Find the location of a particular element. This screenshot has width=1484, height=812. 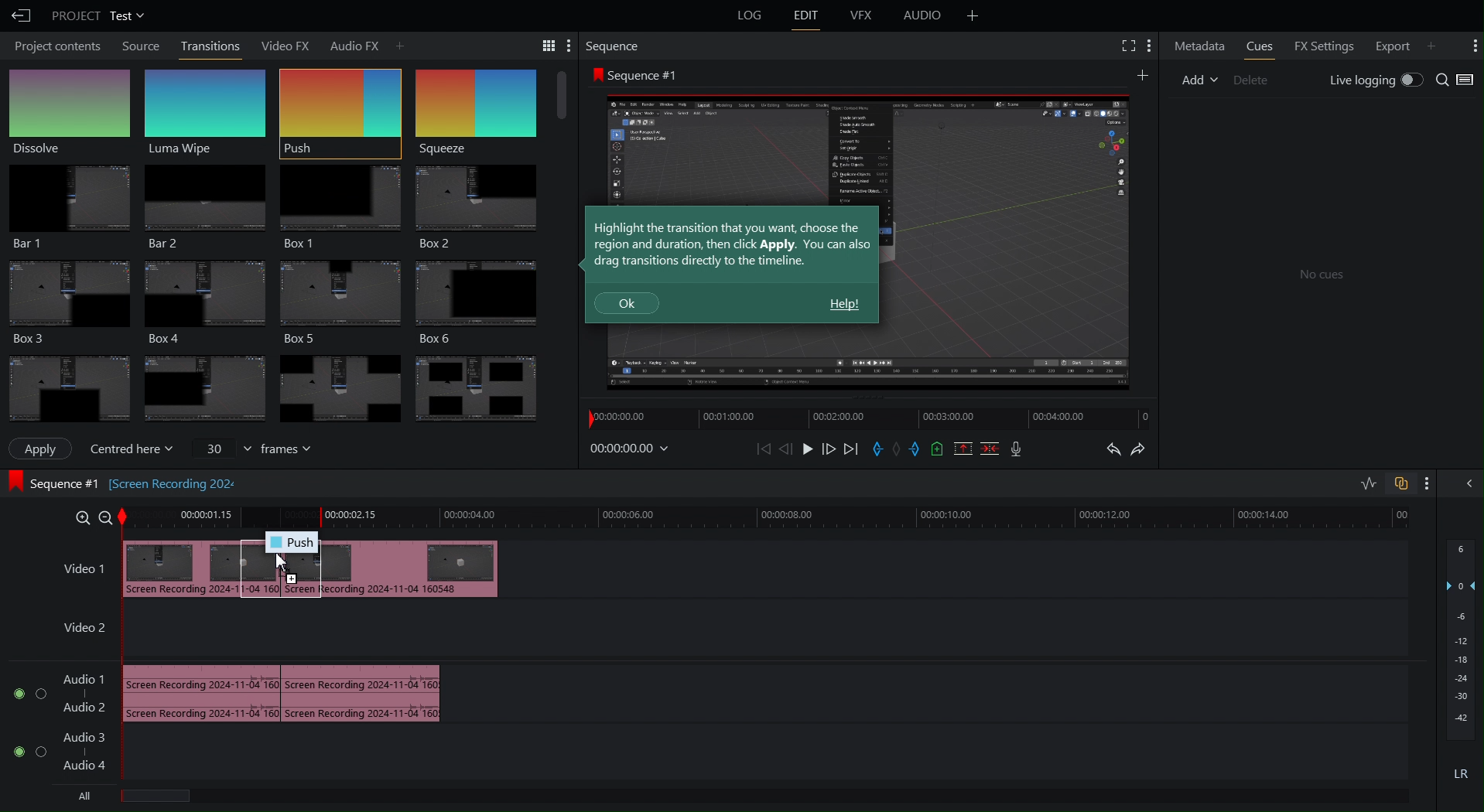

More is located at coordinates (1148, 45).